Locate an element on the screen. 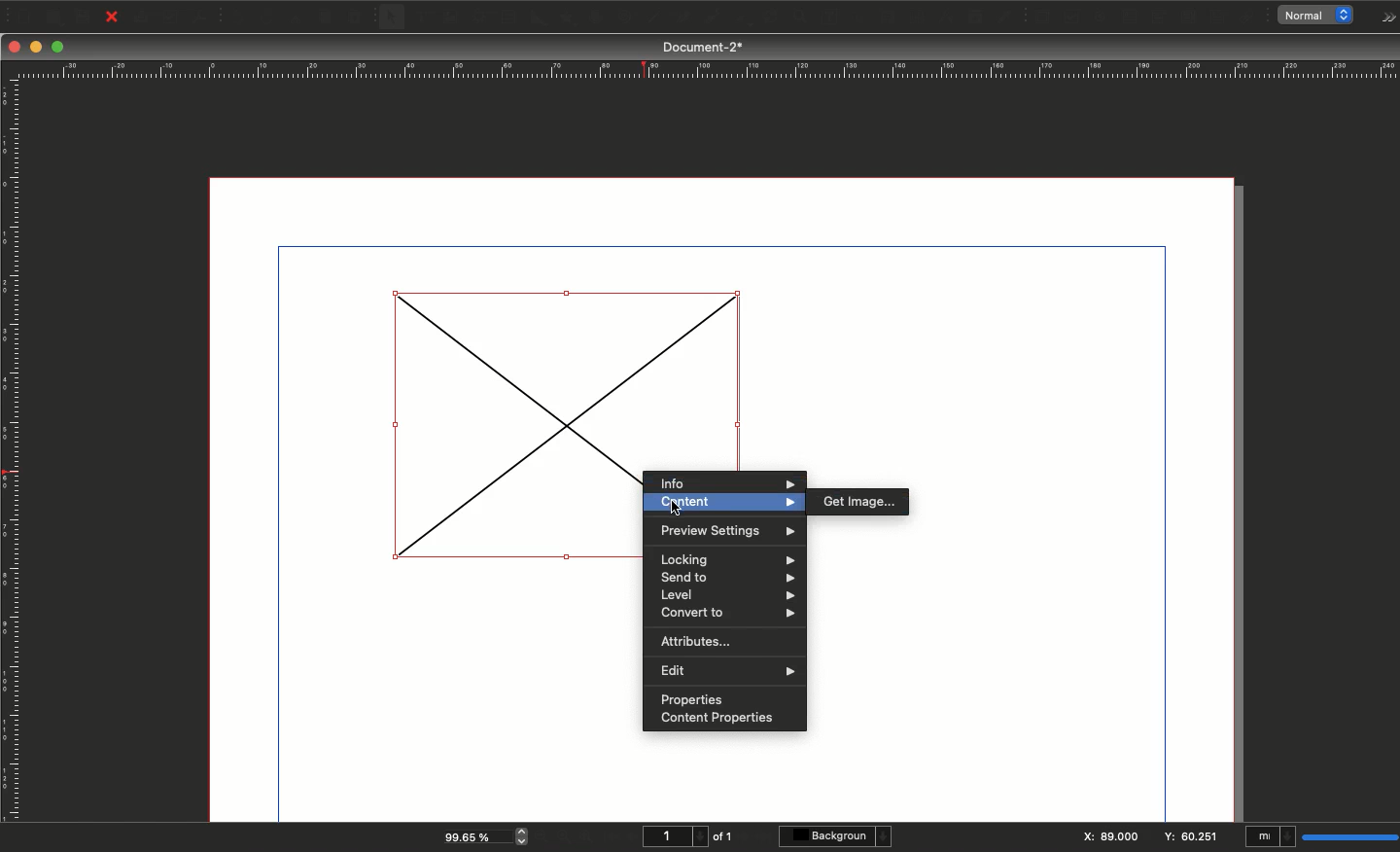  Bézier curve is located at coordinates (681, 18).